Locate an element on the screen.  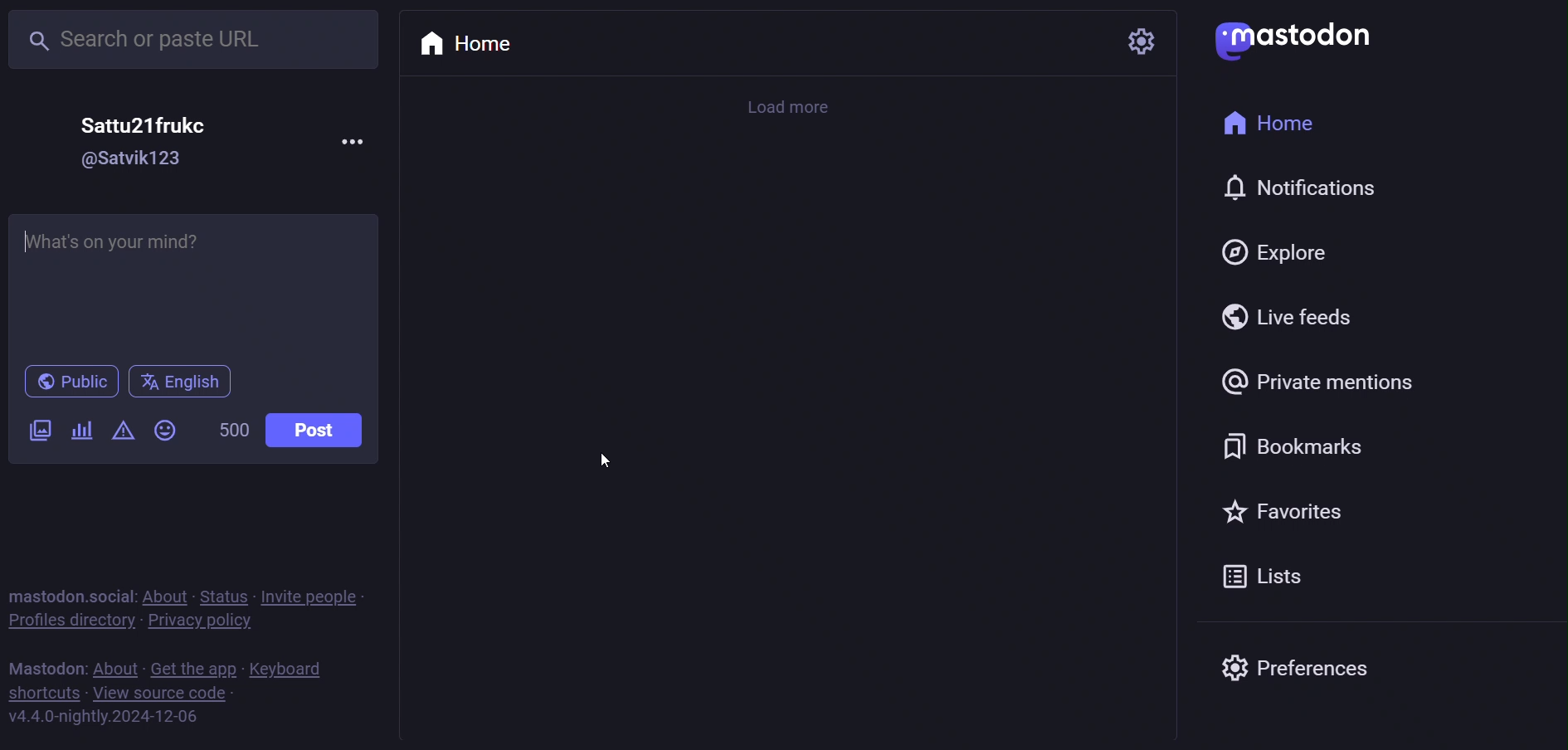
mastodon is located at coordinates (1299, 35).